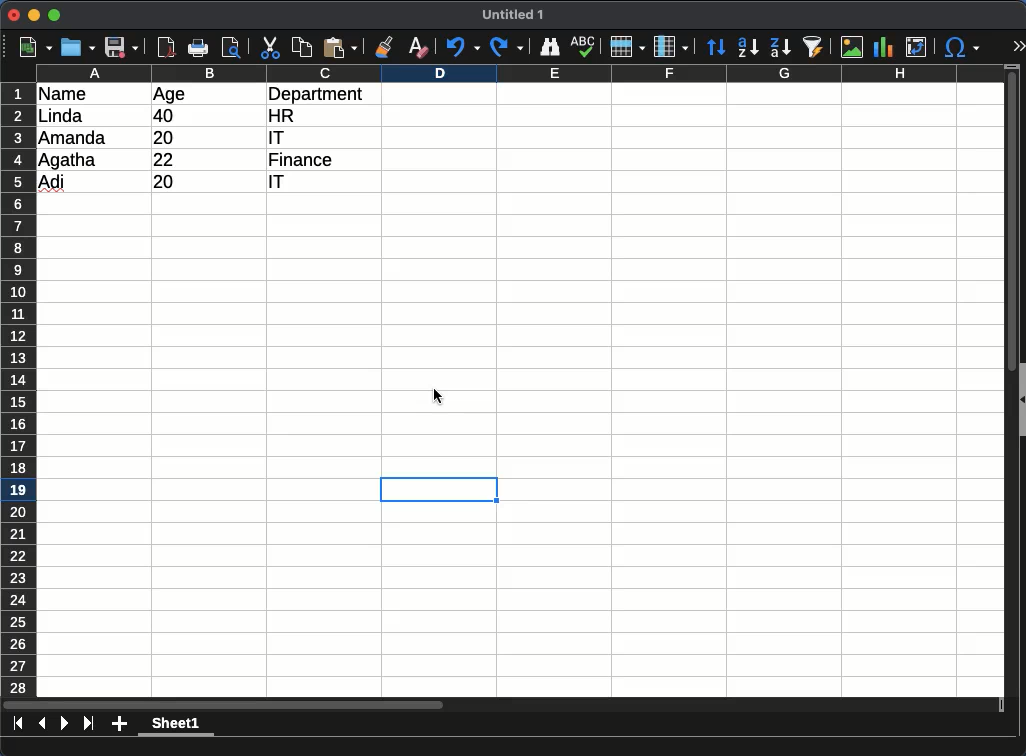 This screenshot has width=1026, height=756. Describe the element at coordinates (68, 160) in the screenshot. I see `Agatha` at that location.